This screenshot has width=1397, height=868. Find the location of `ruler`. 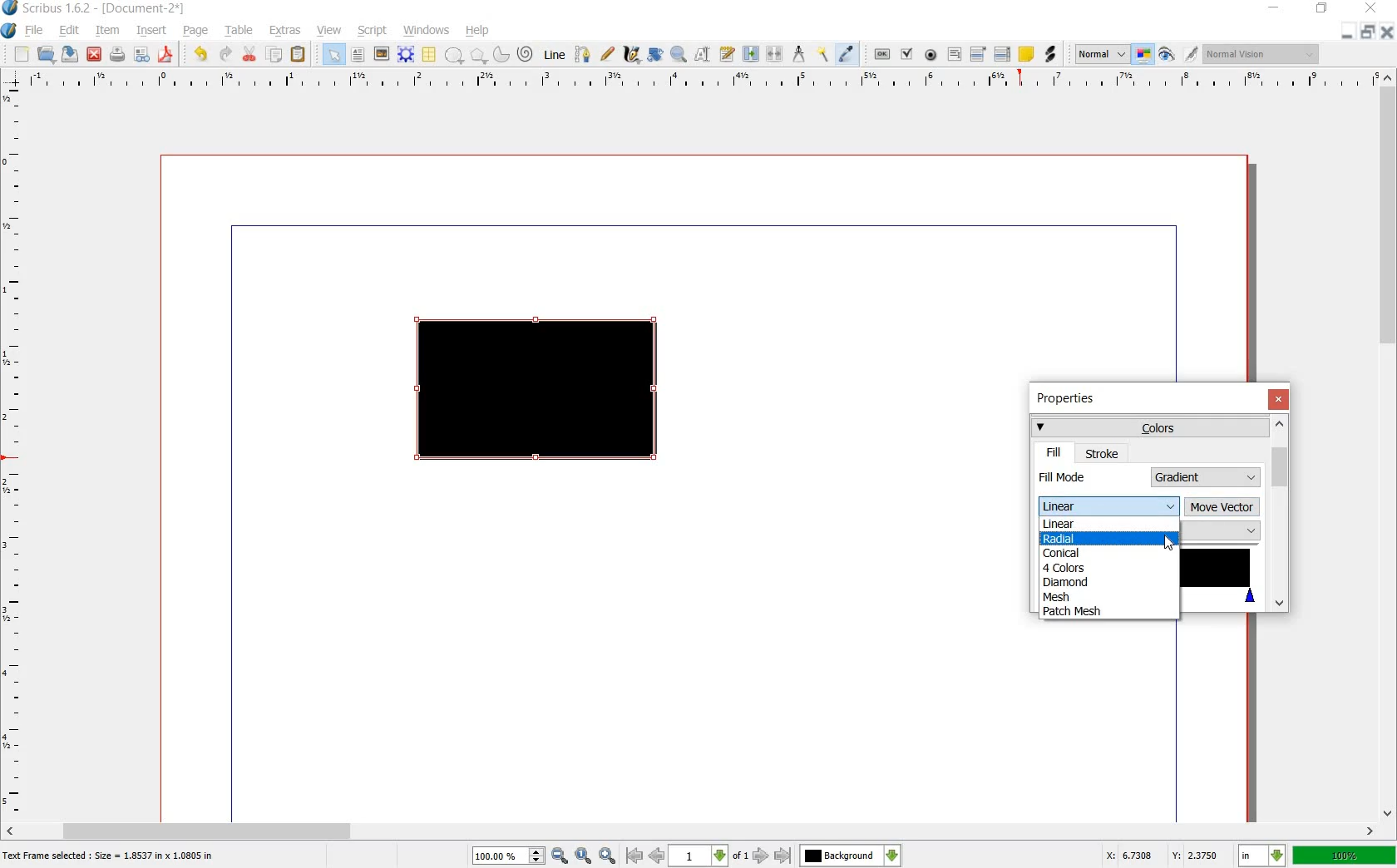

ruler is located at coordinates (696, 81).